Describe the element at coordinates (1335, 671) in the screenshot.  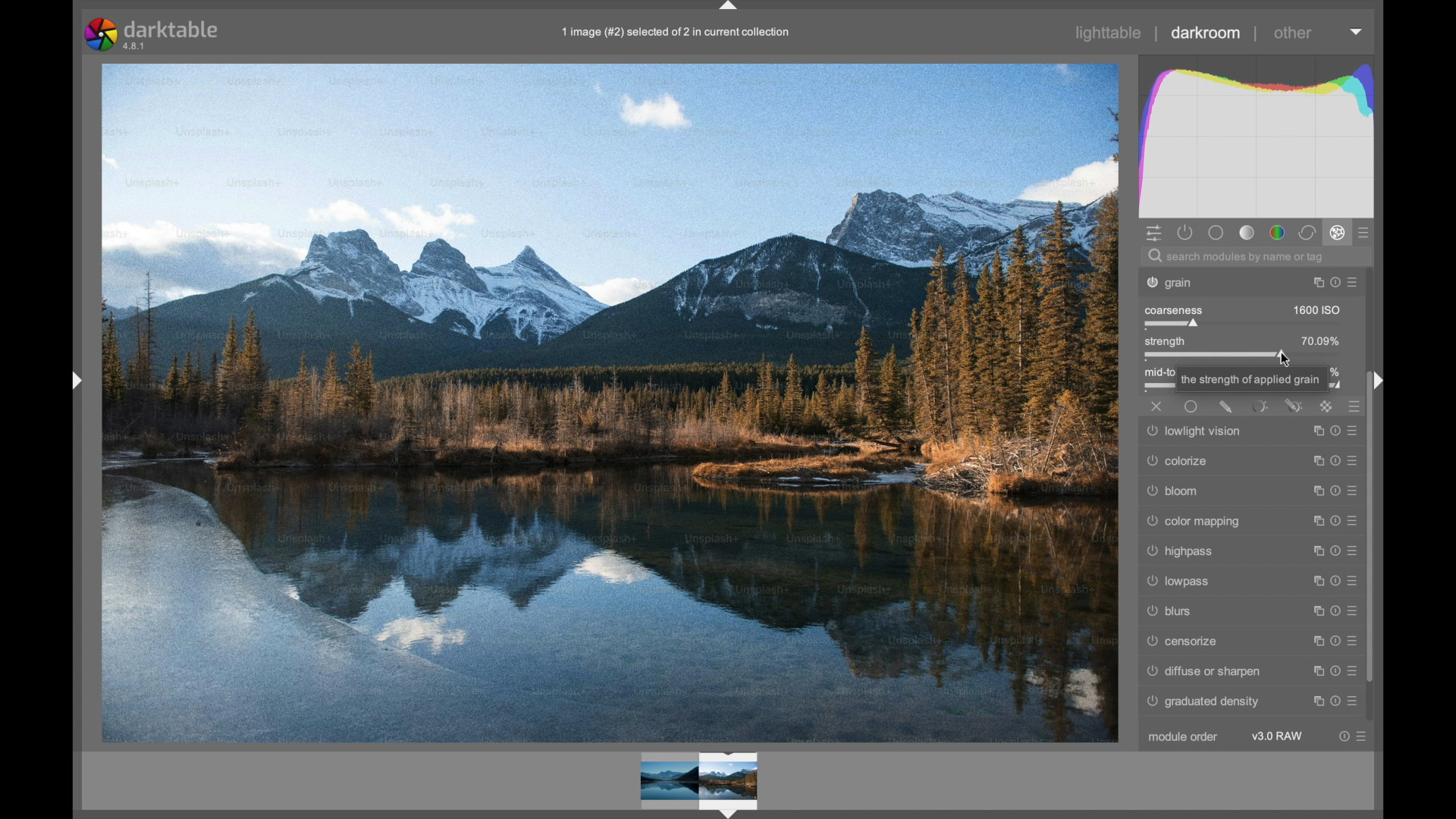
I see `reset parameters` at that location.